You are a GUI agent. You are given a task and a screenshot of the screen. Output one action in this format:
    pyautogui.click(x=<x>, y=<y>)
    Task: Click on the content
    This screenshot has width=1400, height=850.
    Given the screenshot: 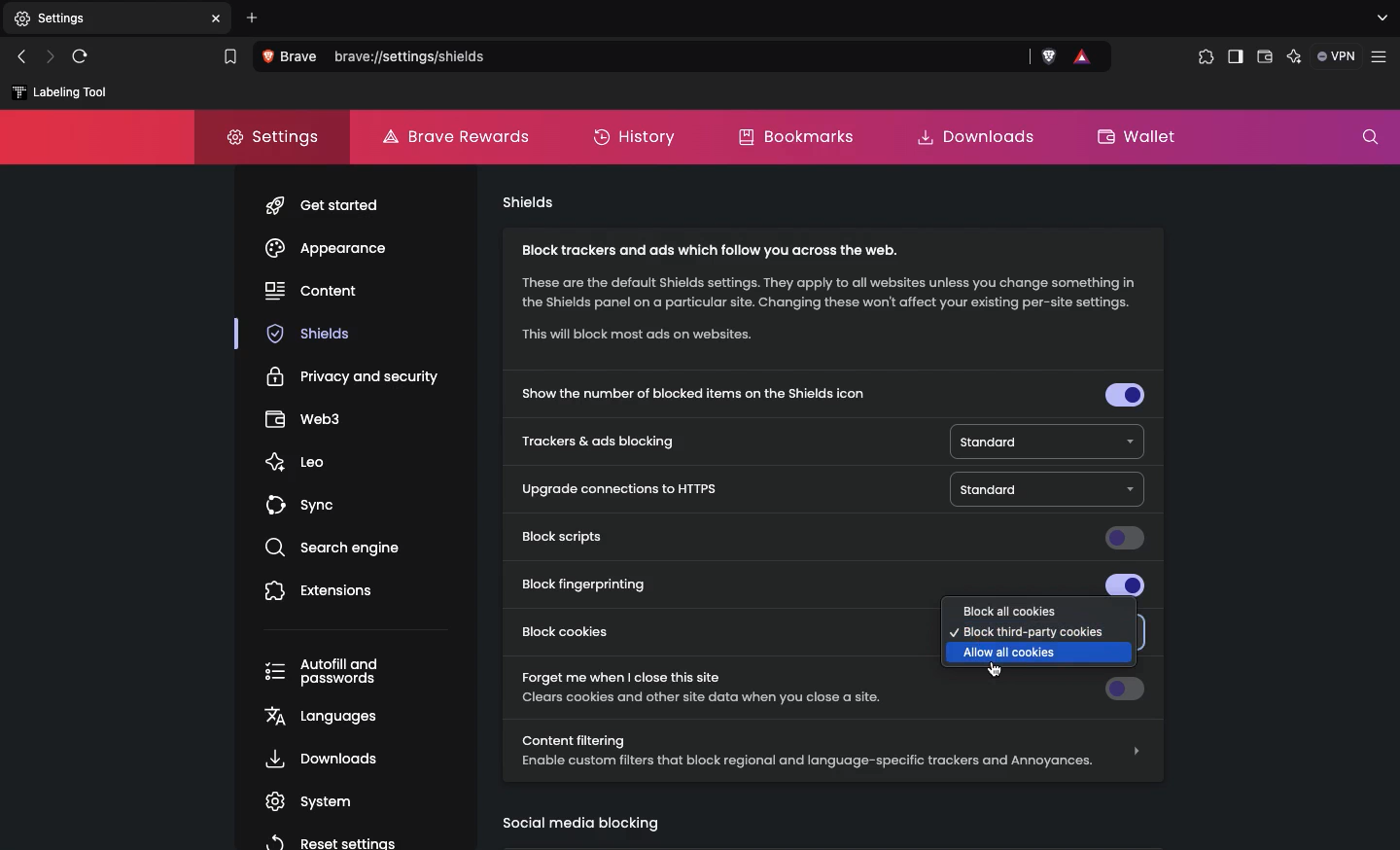 What is the action you would take?
    pyautogui.click(x=312, y=294)
    